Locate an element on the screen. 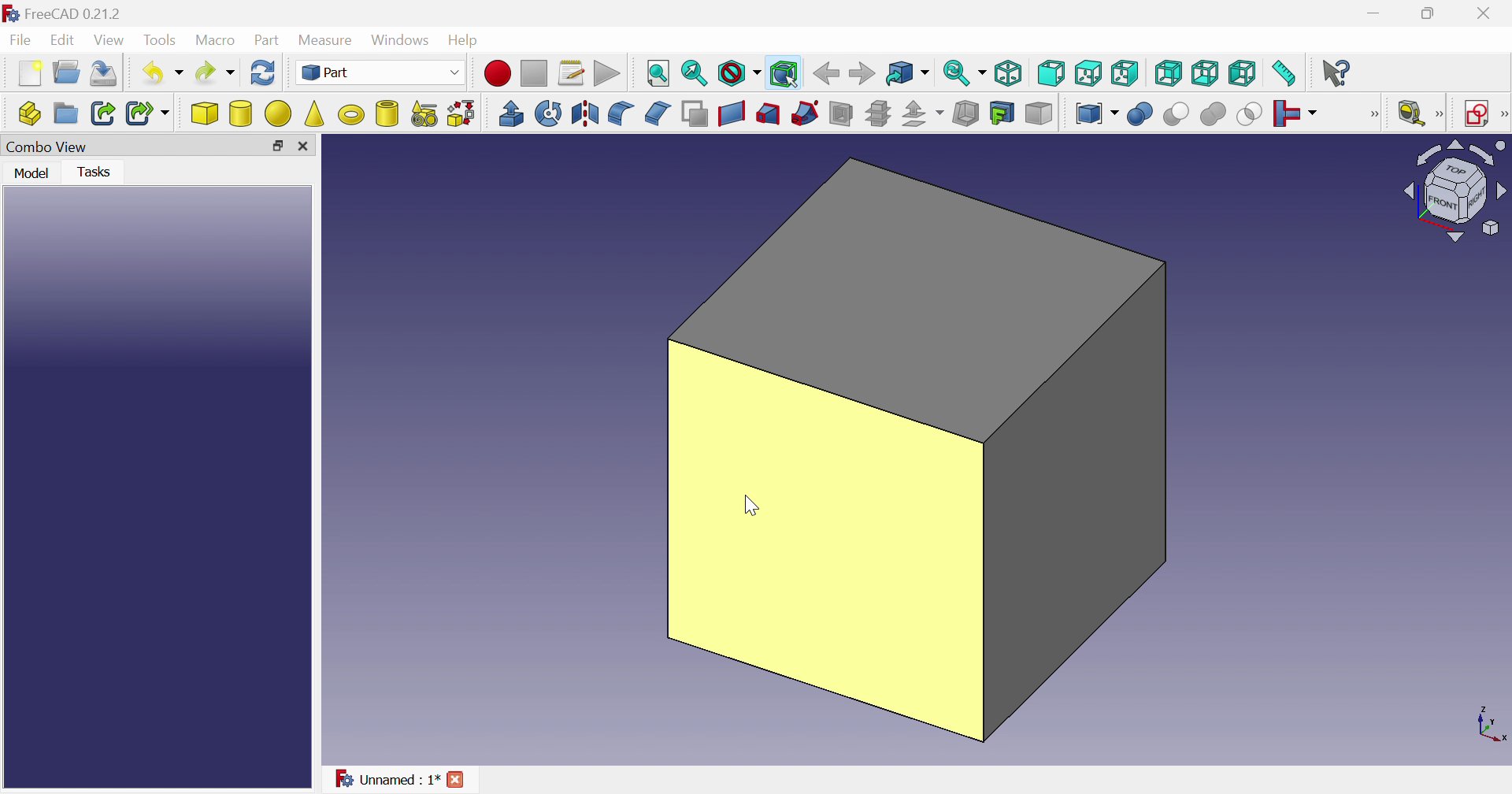 The height and width of the screenshot is (794, 1512). Fillet... is located at coordinates (621, 113).